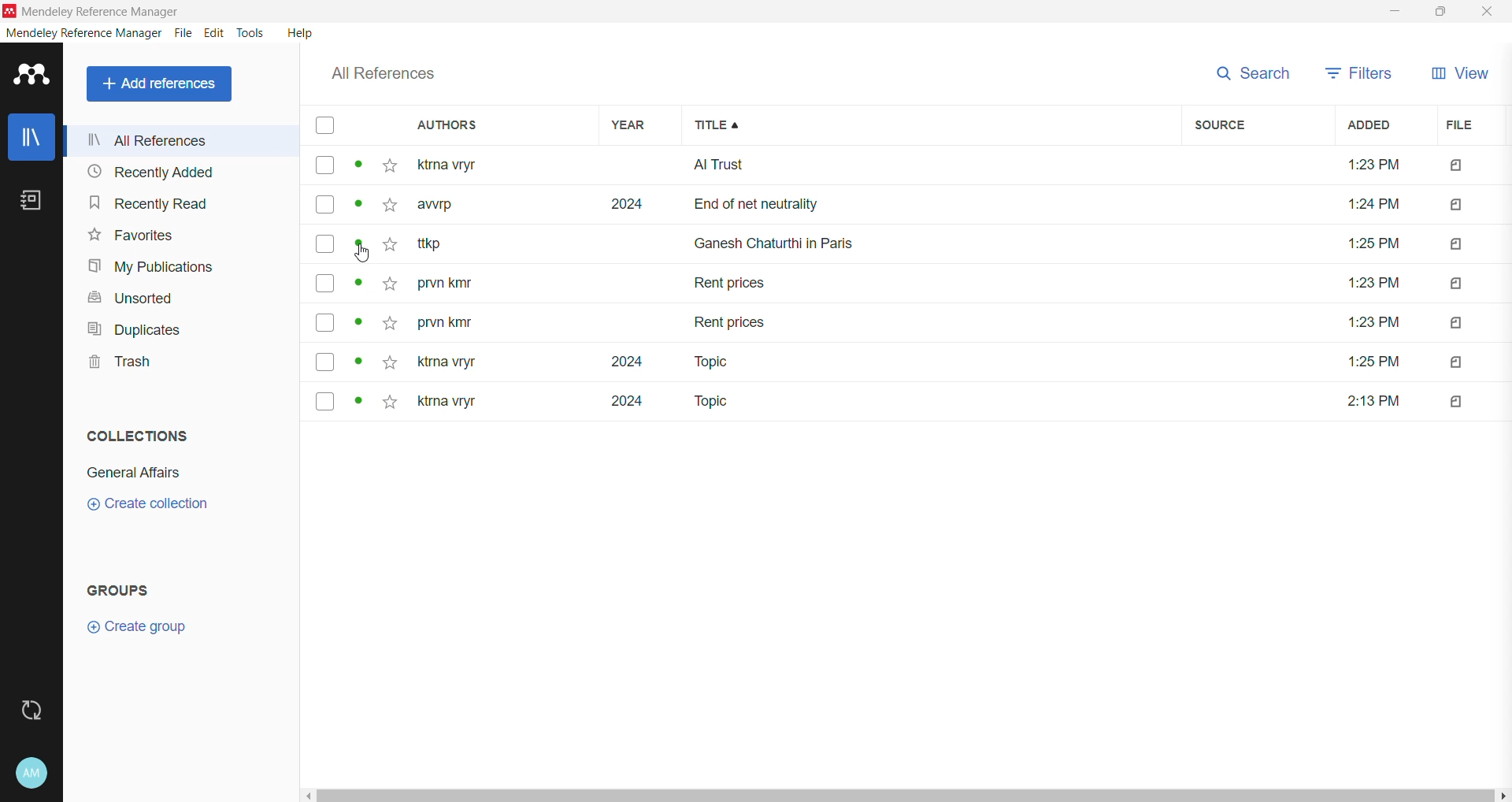 The height and width of the screenshot is (802, 1512). I want to click on Minimize, so click(1391, 12).